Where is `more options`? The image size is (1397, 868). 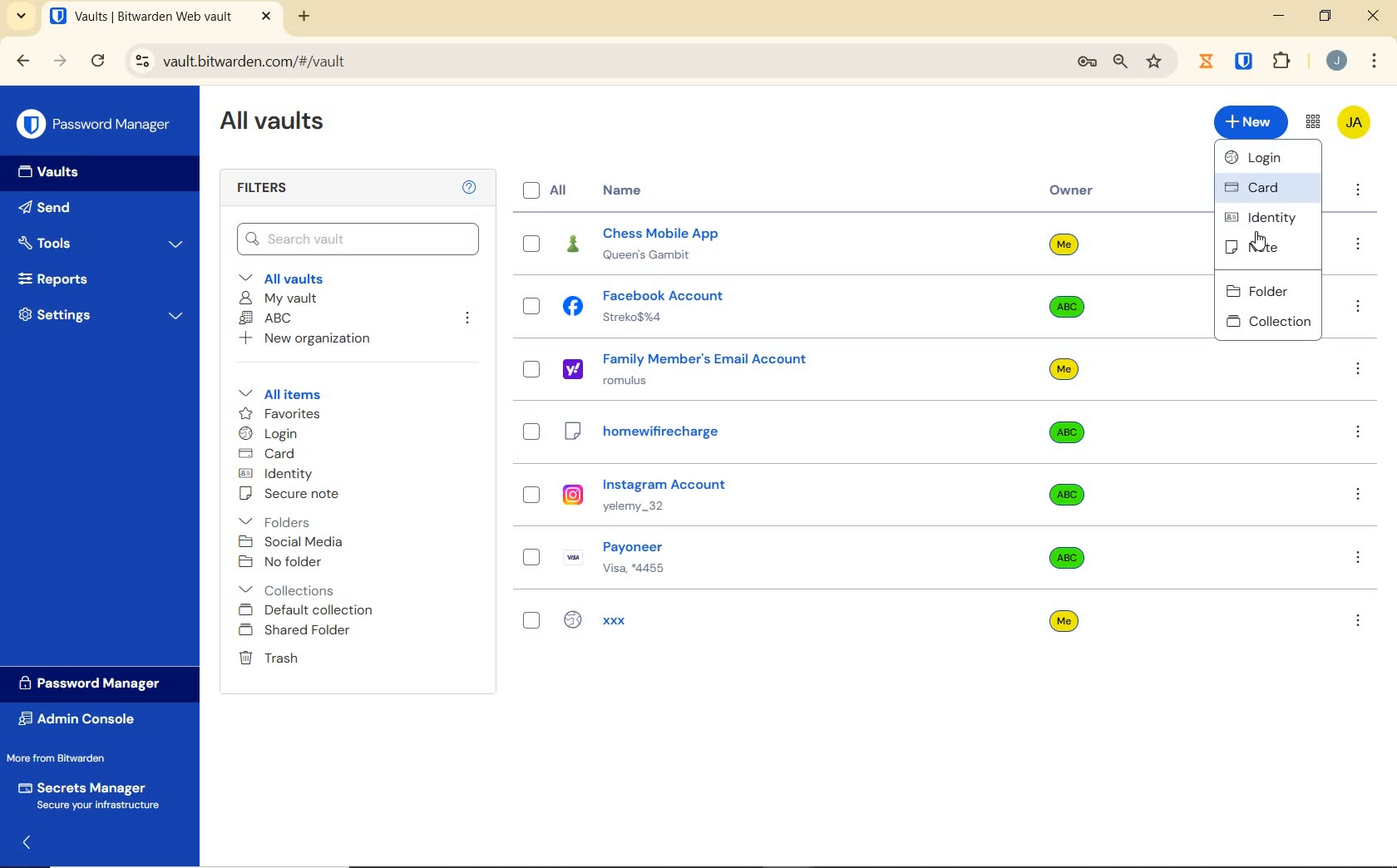
more options is located at coordinates (1359, 245).